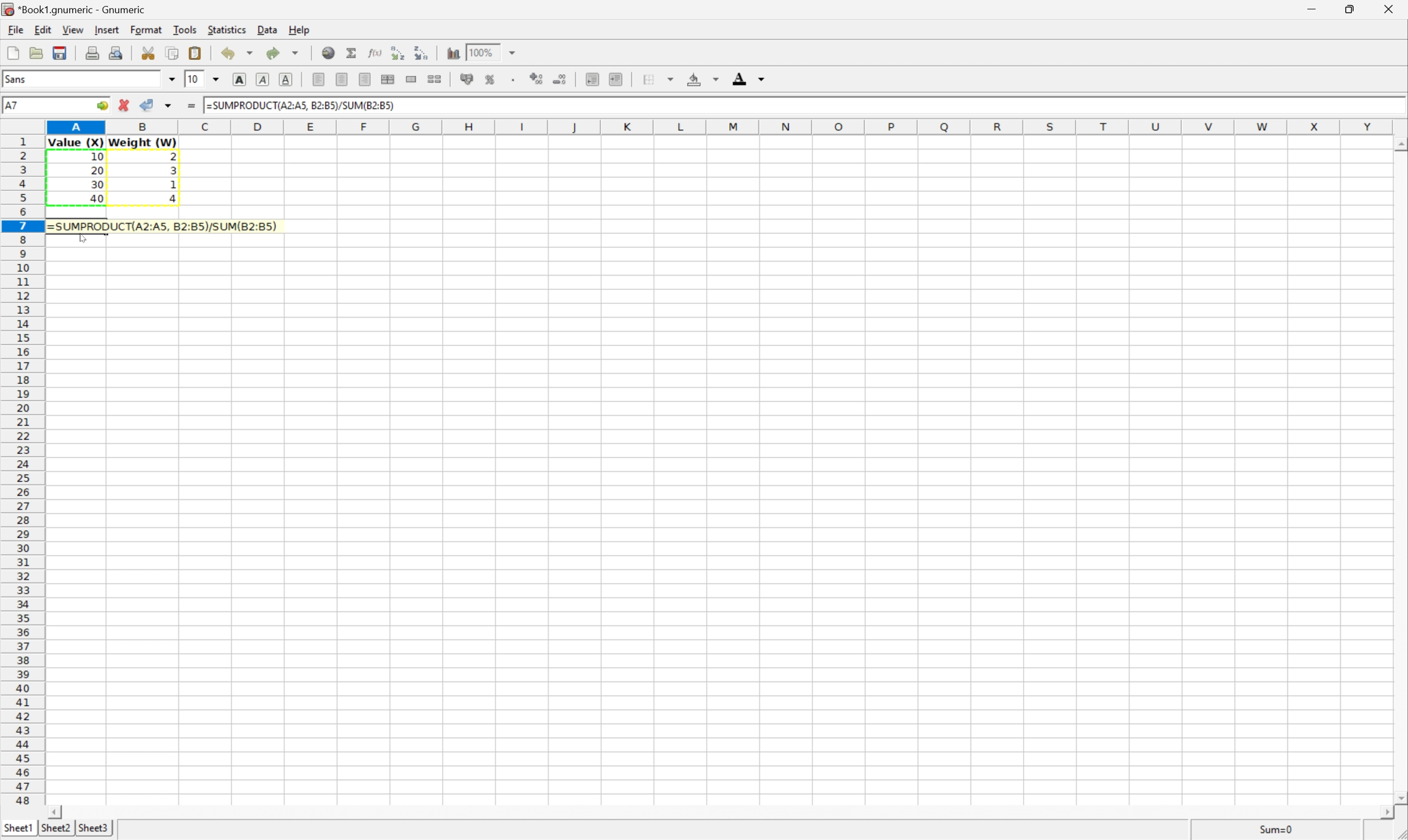  I want to click on =SUMPRODUCT(A2:A5, B2:B5) / SUM(B2:B5), so click(301, 105).